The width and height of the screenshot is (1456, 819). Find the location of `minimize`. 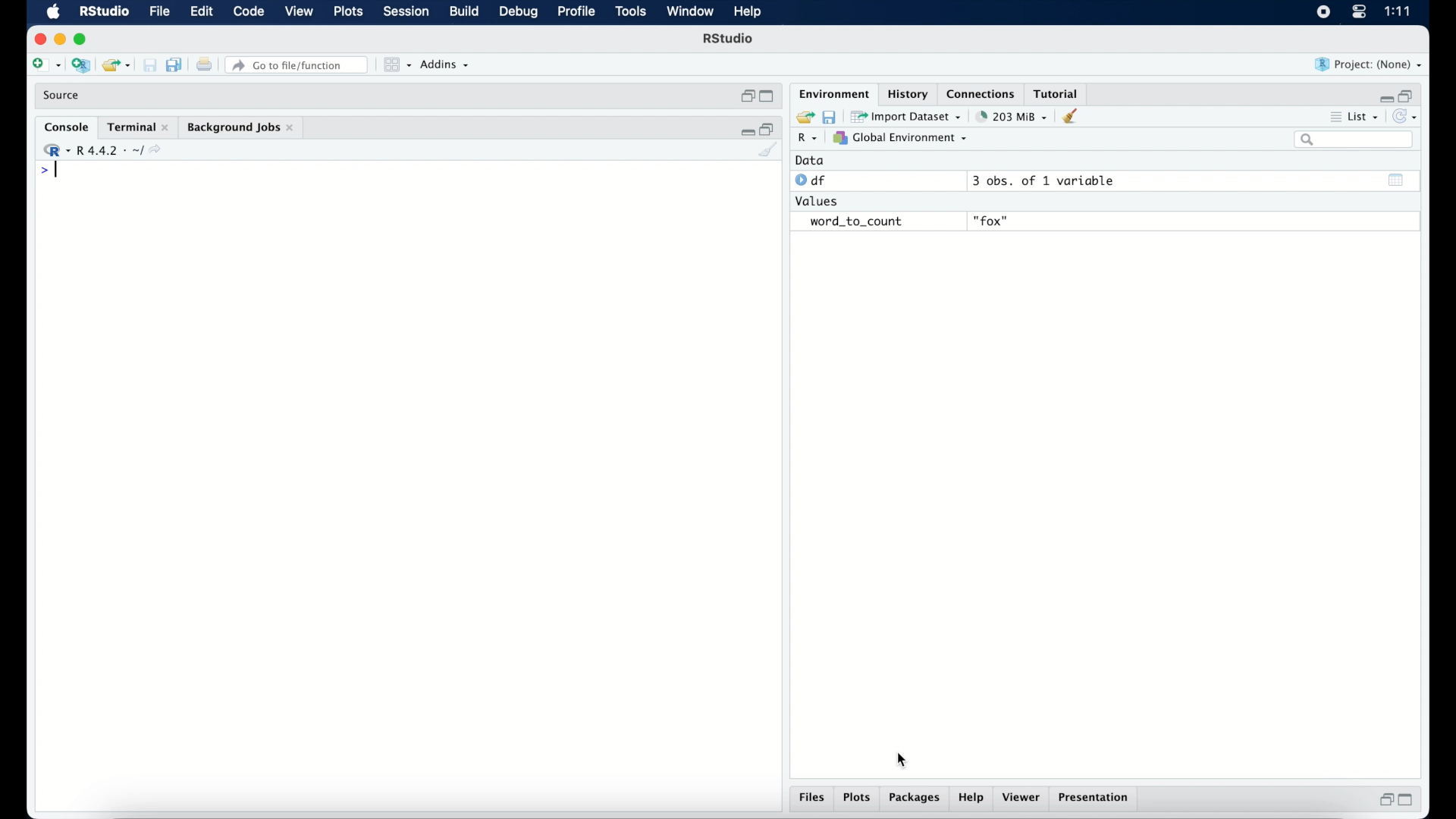

minimize is located at coordinates (59, 39).